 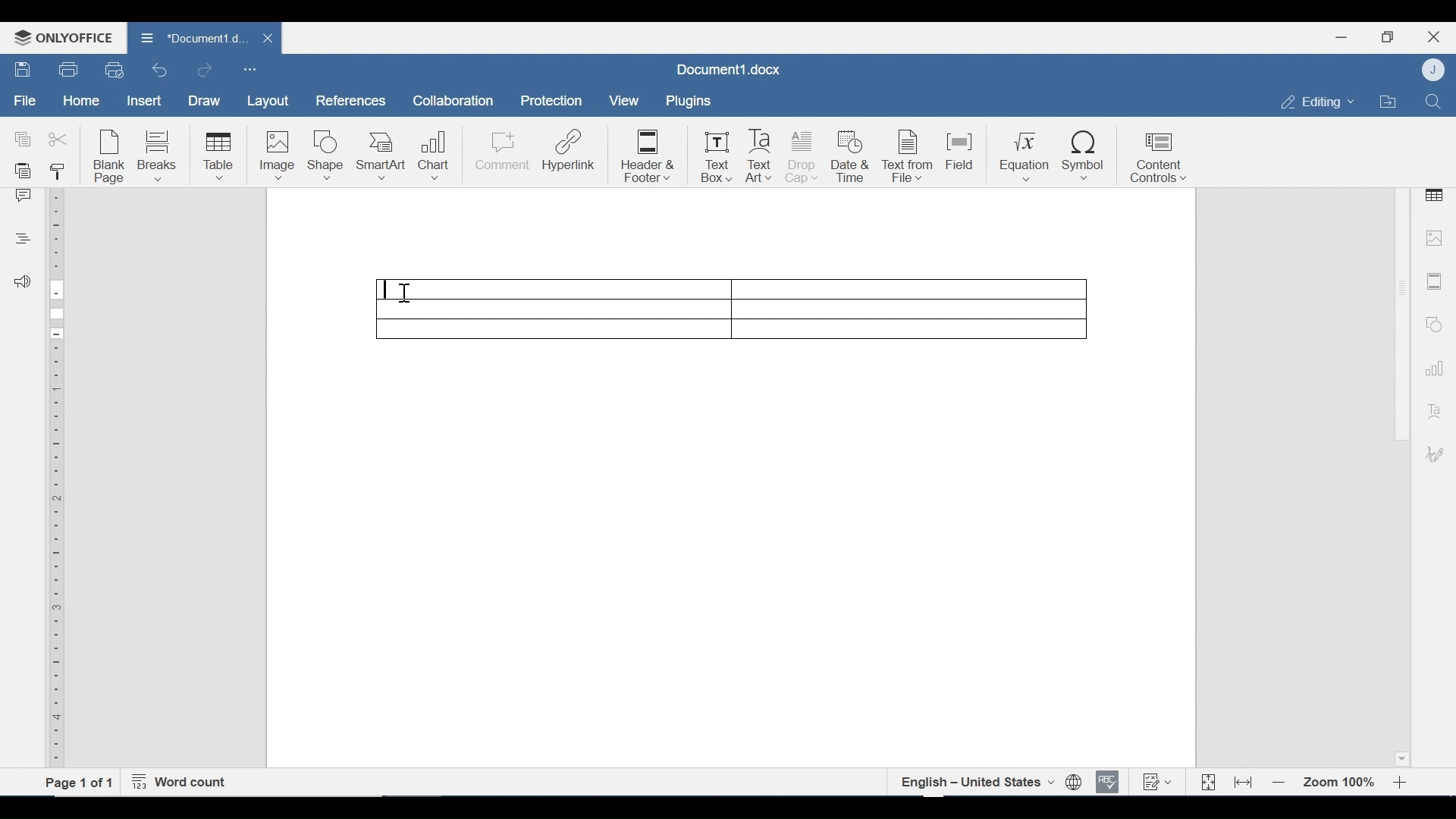 I want to click on Chart, so click(x=435, y=156).